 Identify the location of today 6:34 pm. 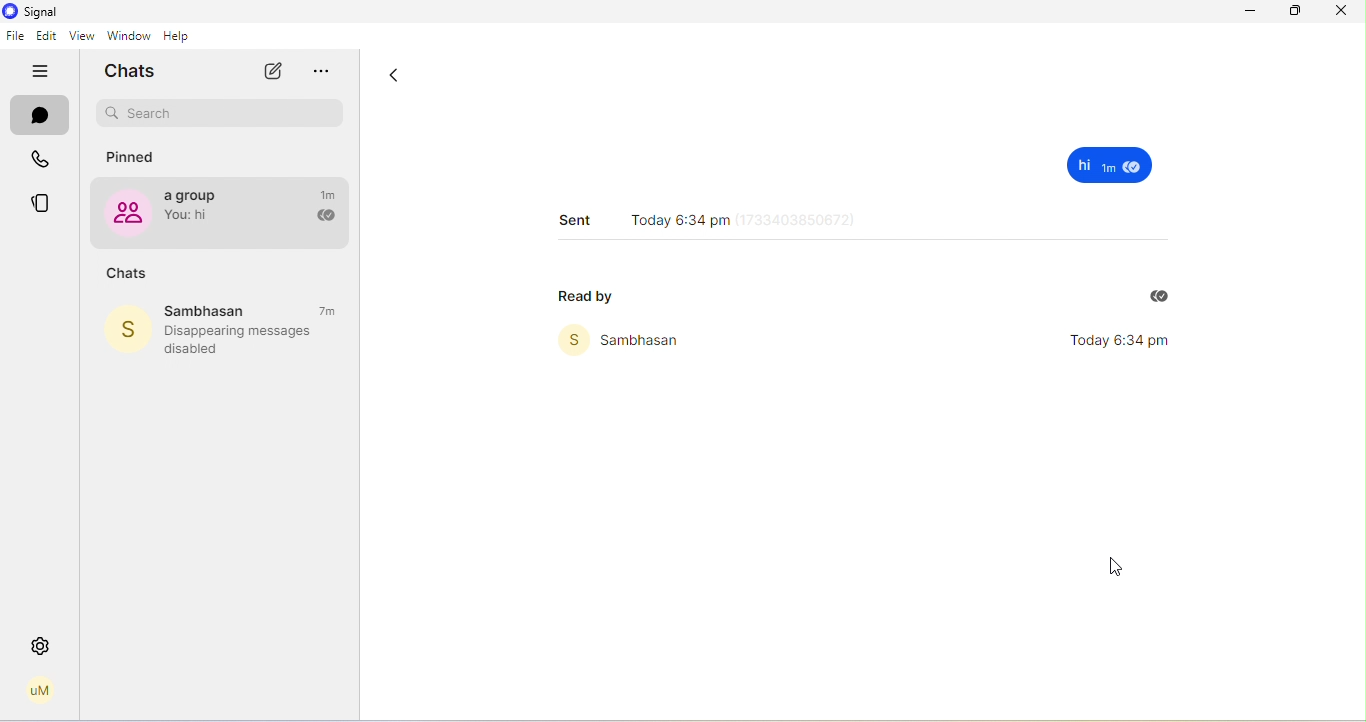
(715, 215).